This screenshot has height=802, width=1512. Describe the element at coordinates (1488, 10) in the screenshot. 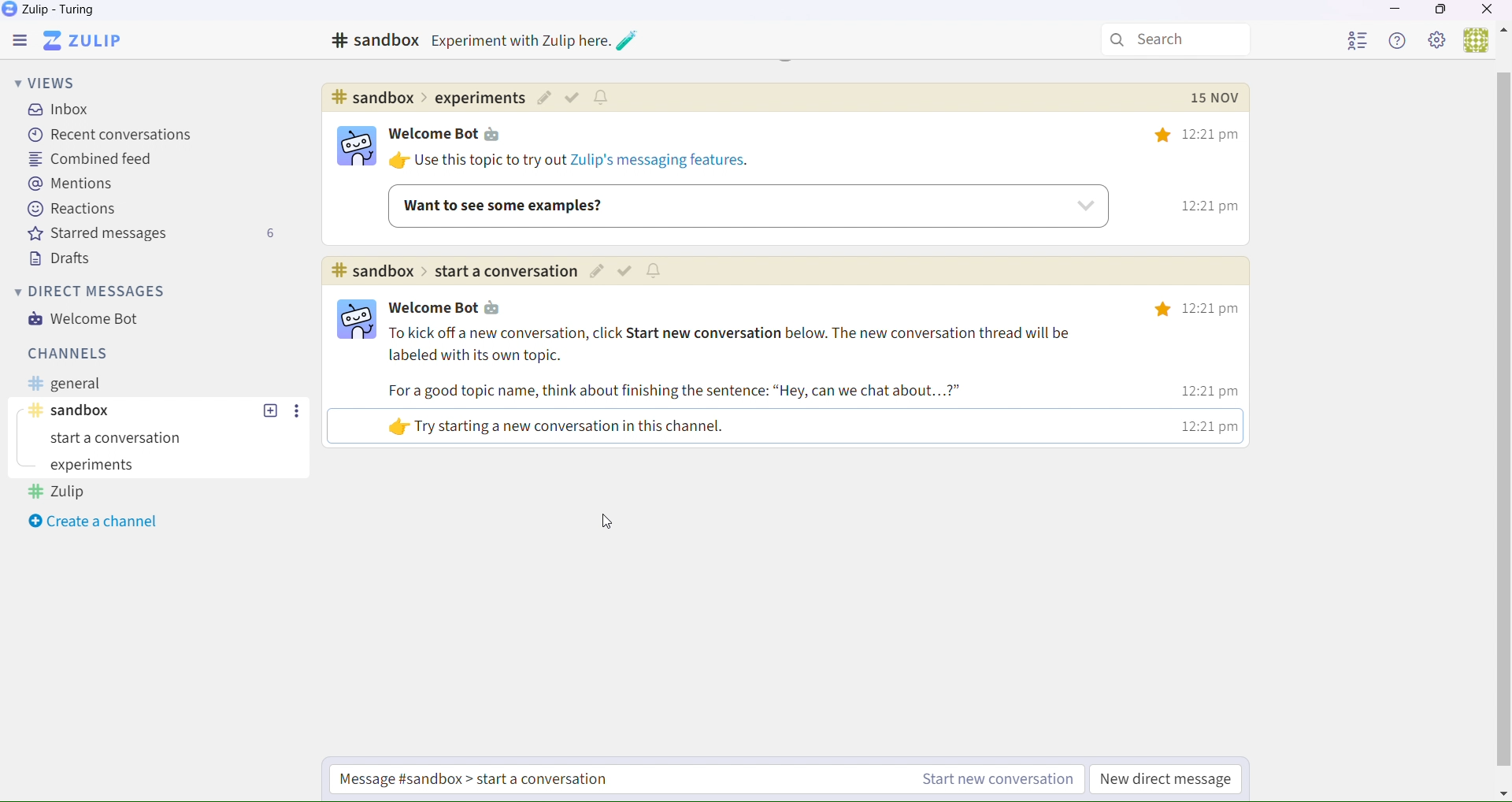

I see `Close` at that location.